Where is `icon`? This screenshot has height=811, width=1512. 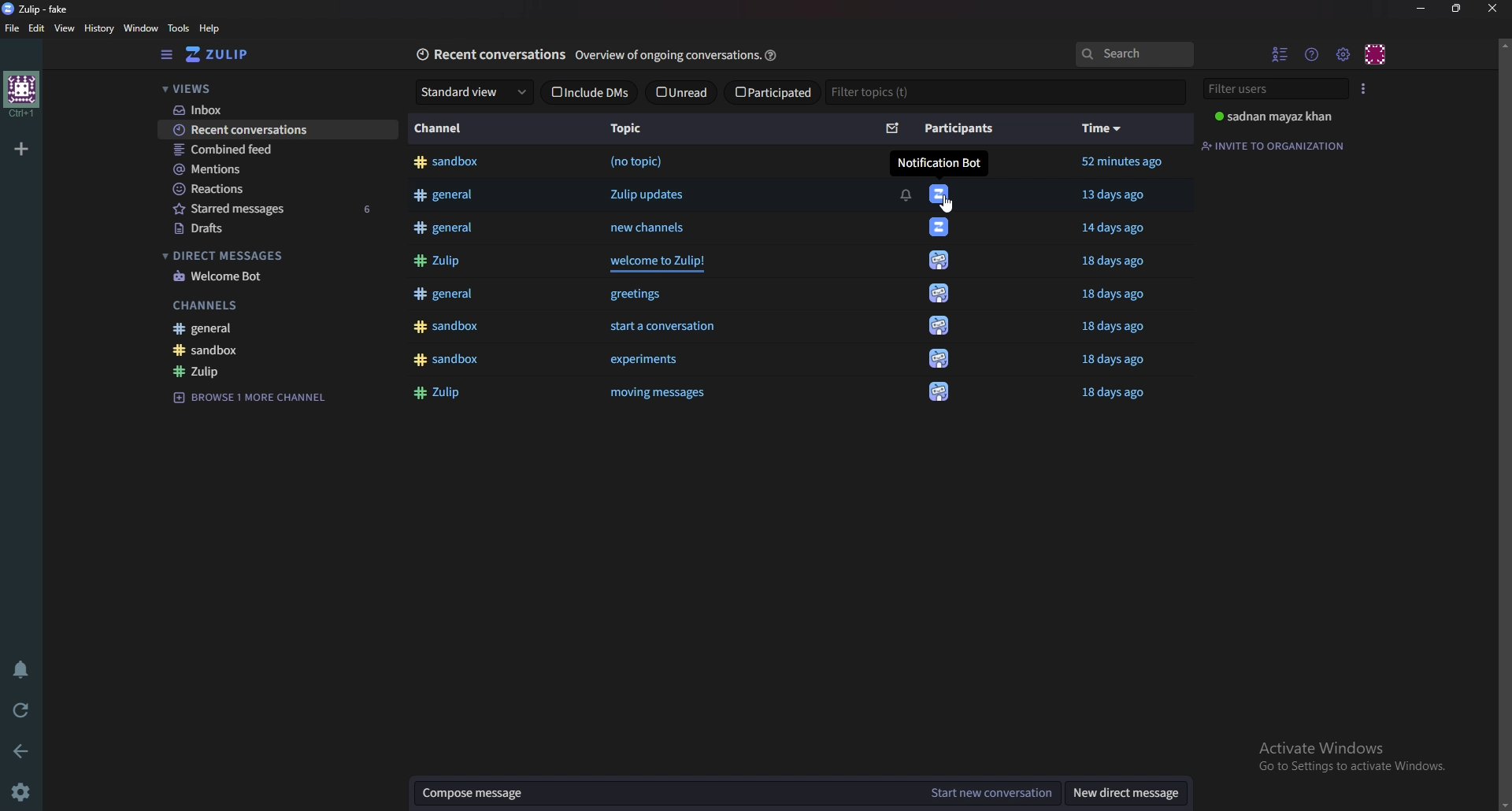 icon is located at coordinates (943, 194).